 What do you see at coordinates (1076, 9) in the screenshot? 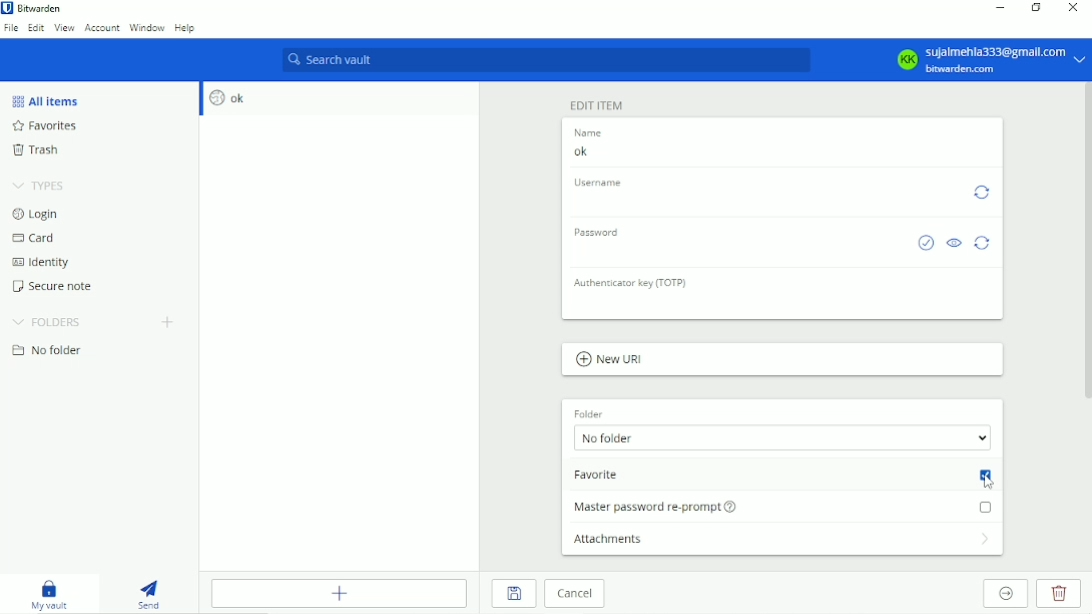
I see `Close` at bounding box center [1076, 9].